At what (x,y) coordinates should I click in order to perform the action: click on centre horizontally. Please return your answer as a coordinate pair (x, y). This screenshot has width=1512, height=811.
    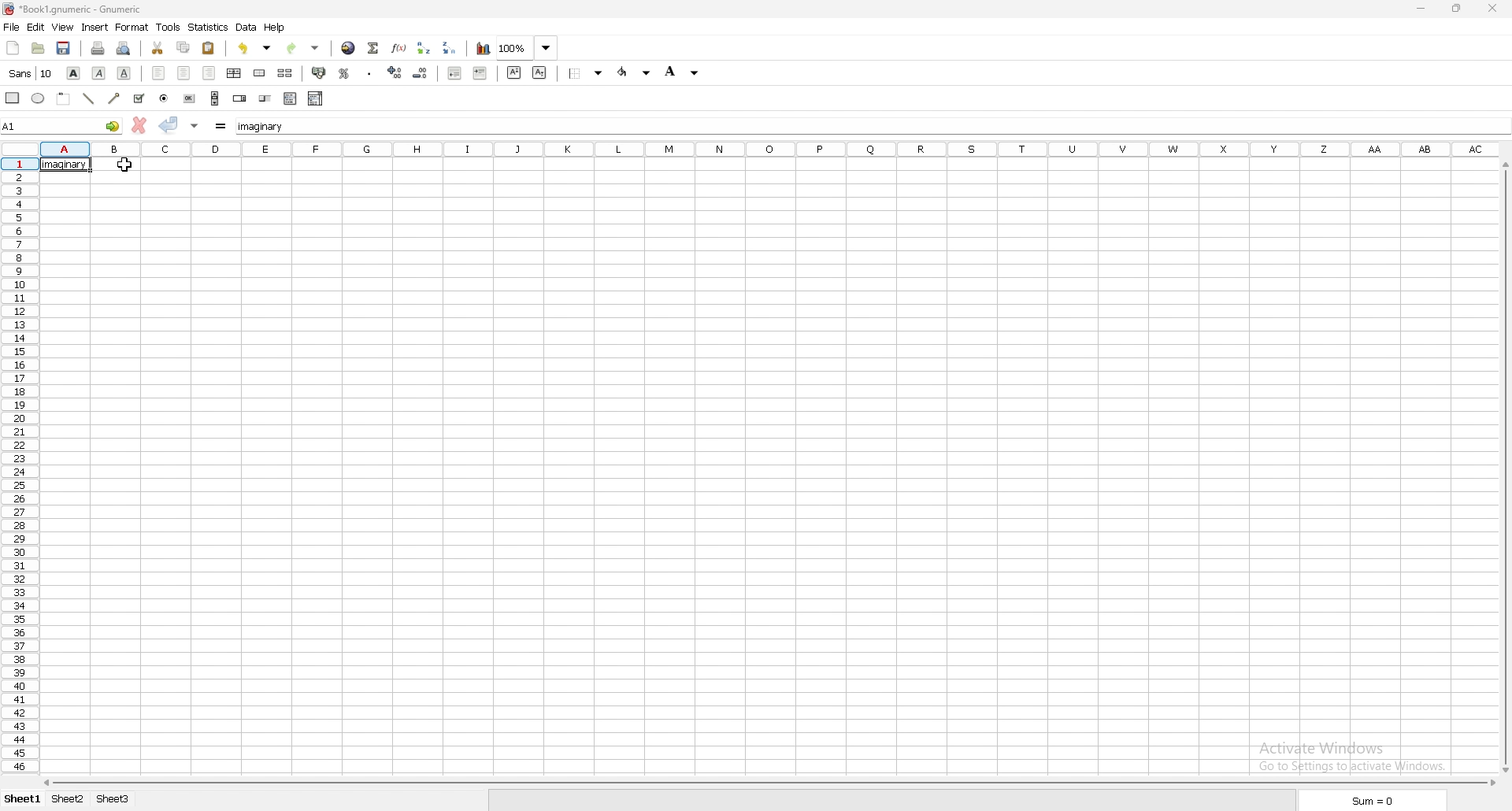
    Looking at the image, I should click on (235, 73).